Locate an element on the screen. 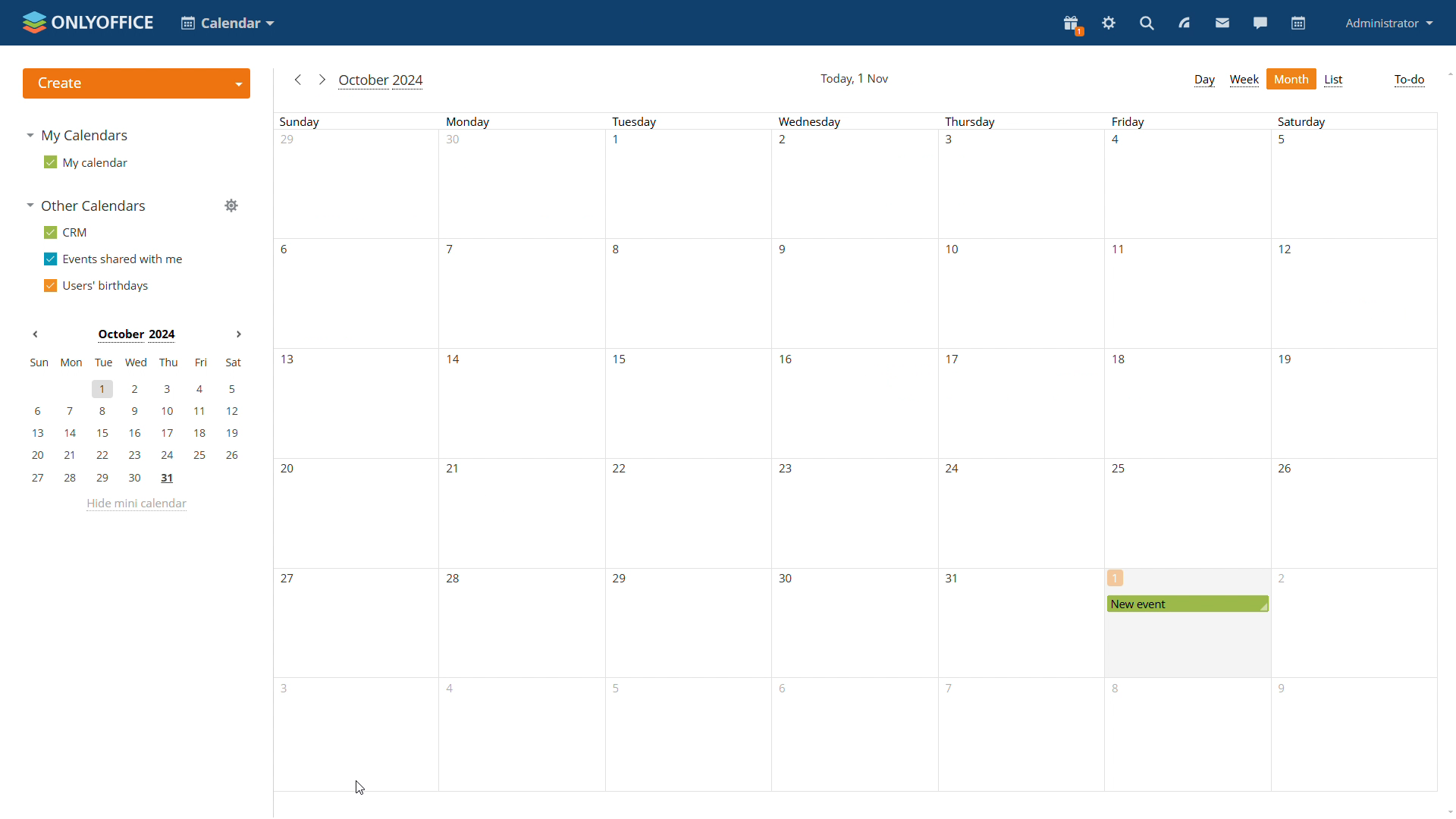  Wednesday is located at coordinates (852, 452).